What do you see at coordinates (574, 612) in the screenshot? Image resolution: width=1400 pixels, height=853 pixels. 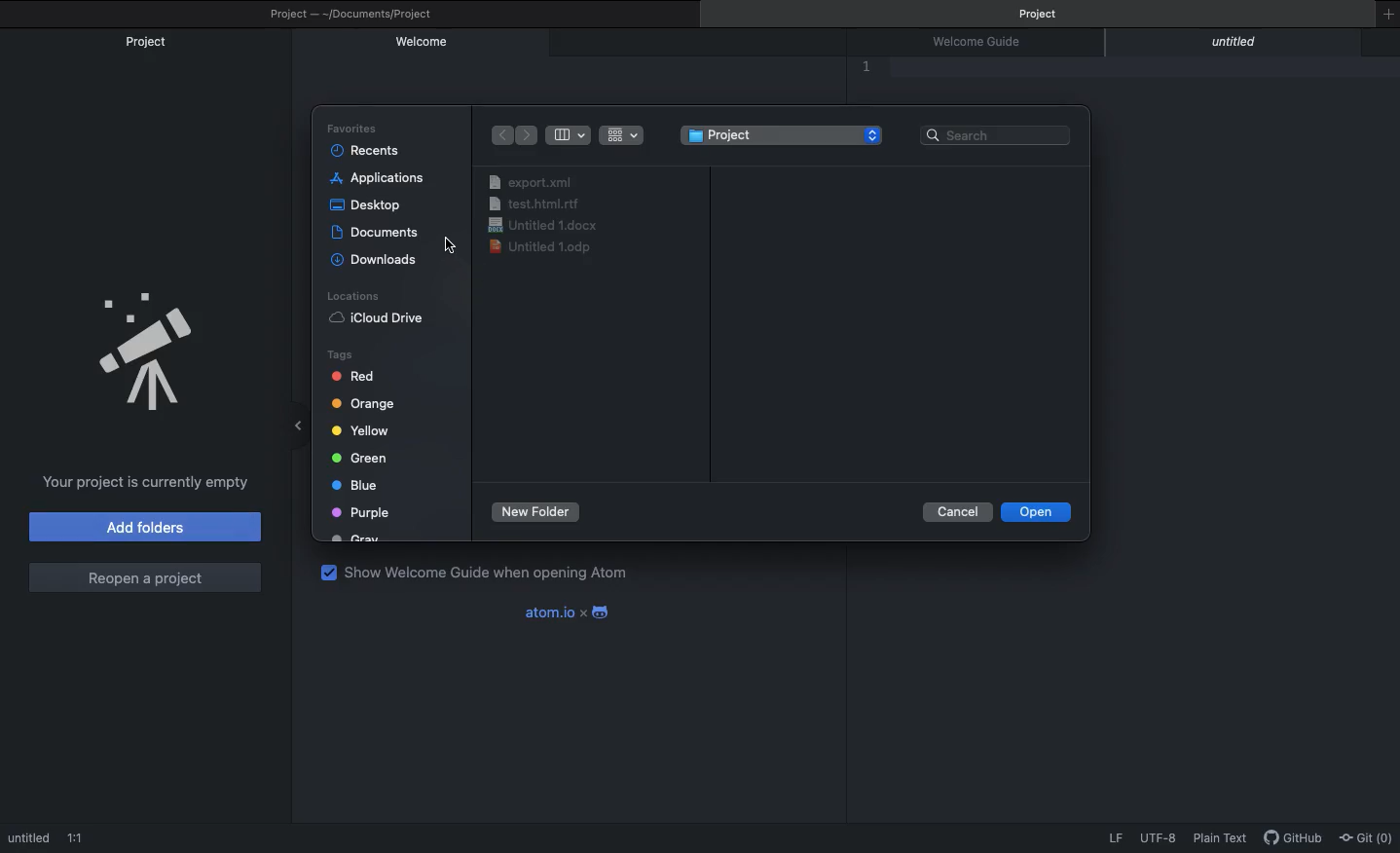 I see `Atom x android ` at bounding box center [574, 612].